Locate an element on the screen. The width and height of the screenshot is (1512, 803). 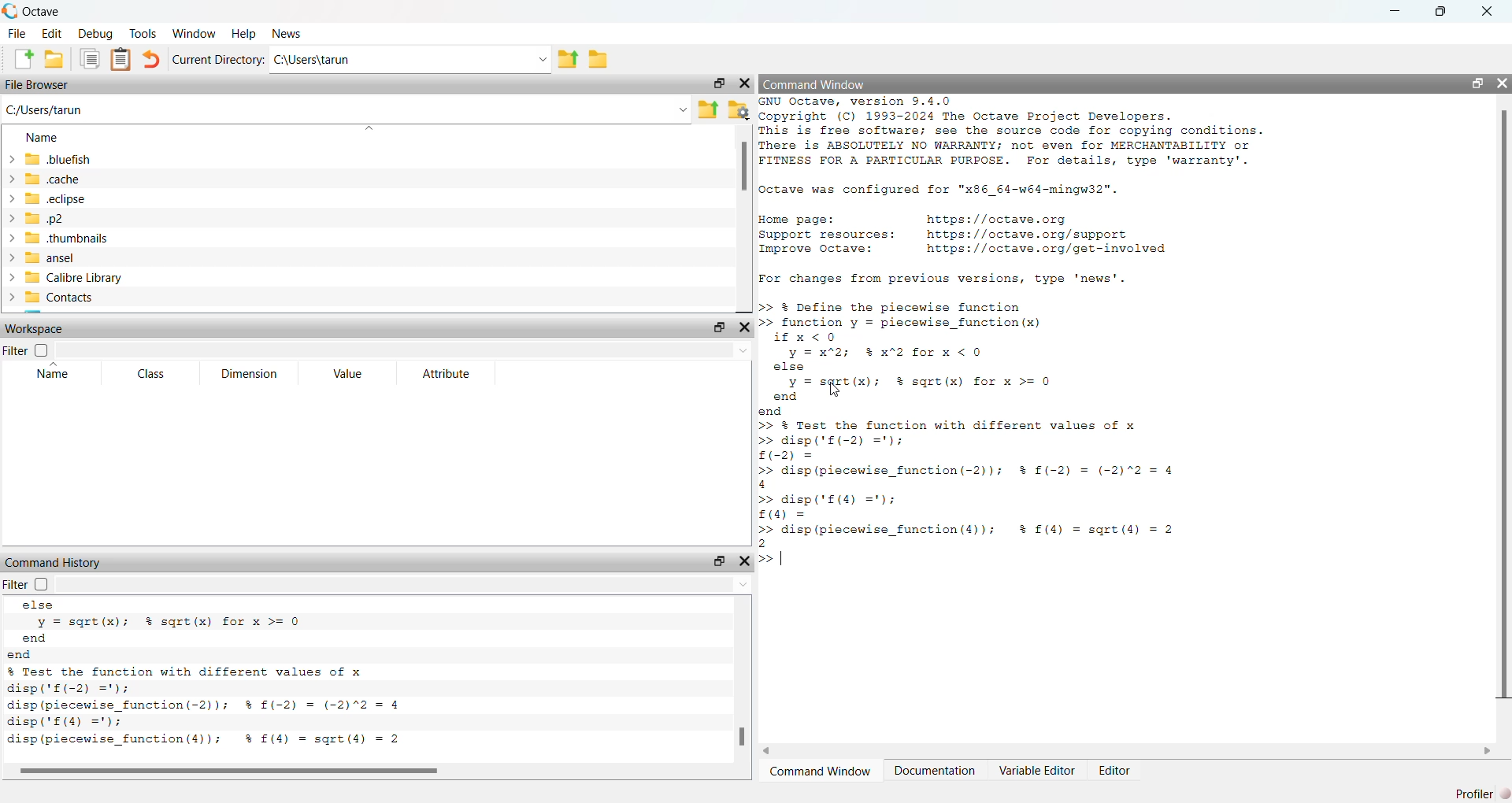
Command window is located at coordinates (823, 772).